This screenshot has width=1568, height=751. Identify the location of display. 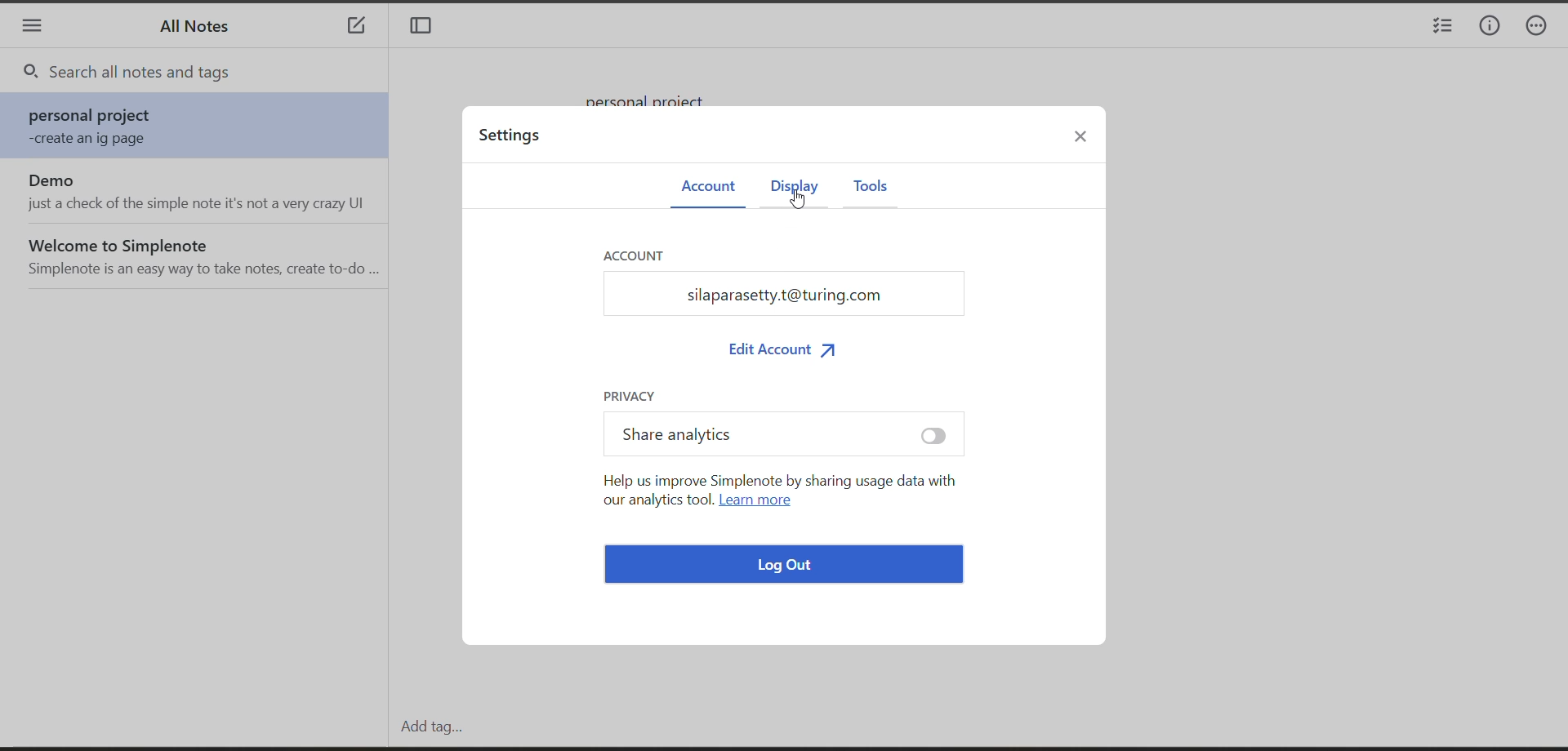
(791, 189).